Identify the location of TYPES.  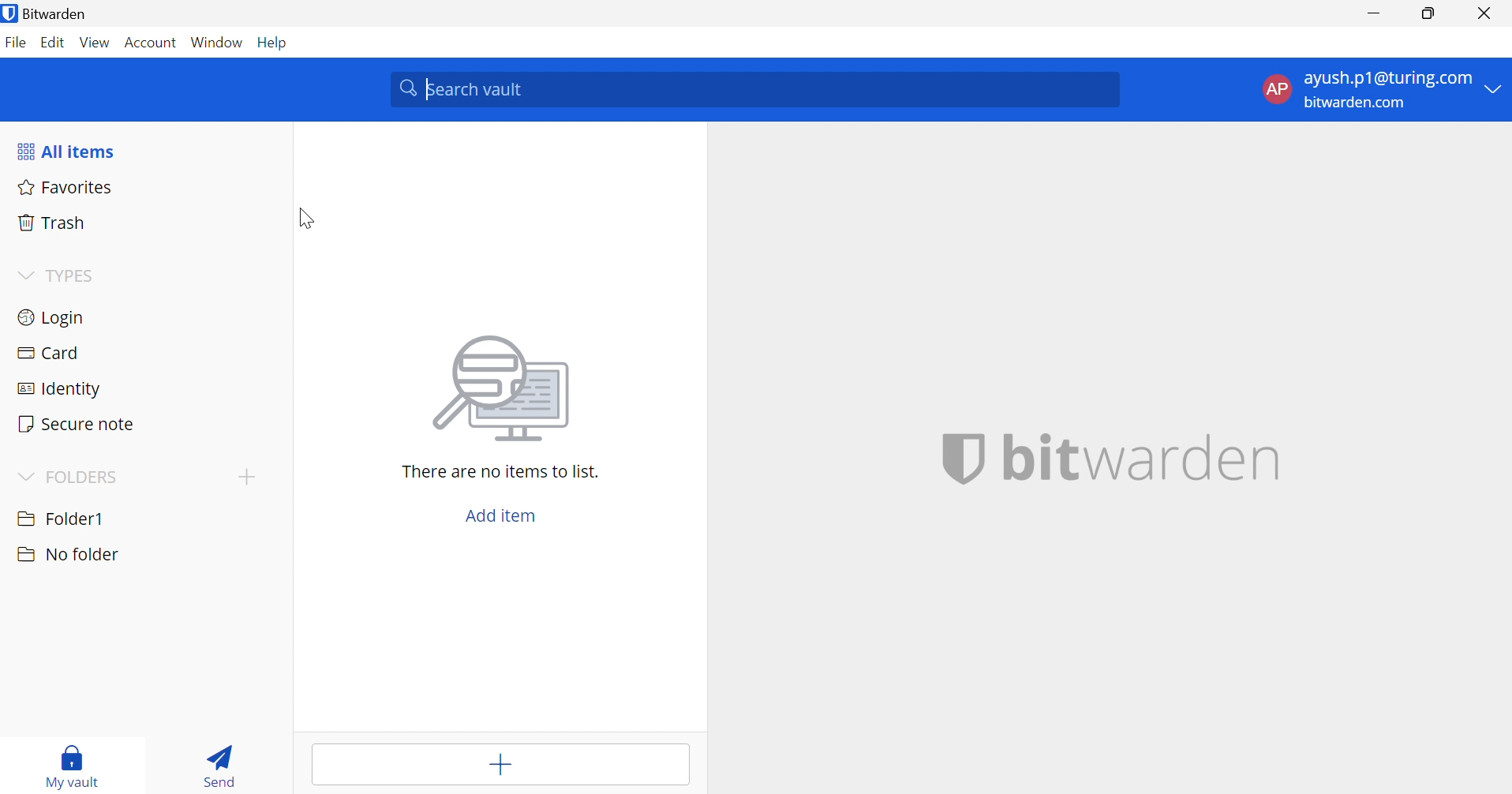
(73, 275).